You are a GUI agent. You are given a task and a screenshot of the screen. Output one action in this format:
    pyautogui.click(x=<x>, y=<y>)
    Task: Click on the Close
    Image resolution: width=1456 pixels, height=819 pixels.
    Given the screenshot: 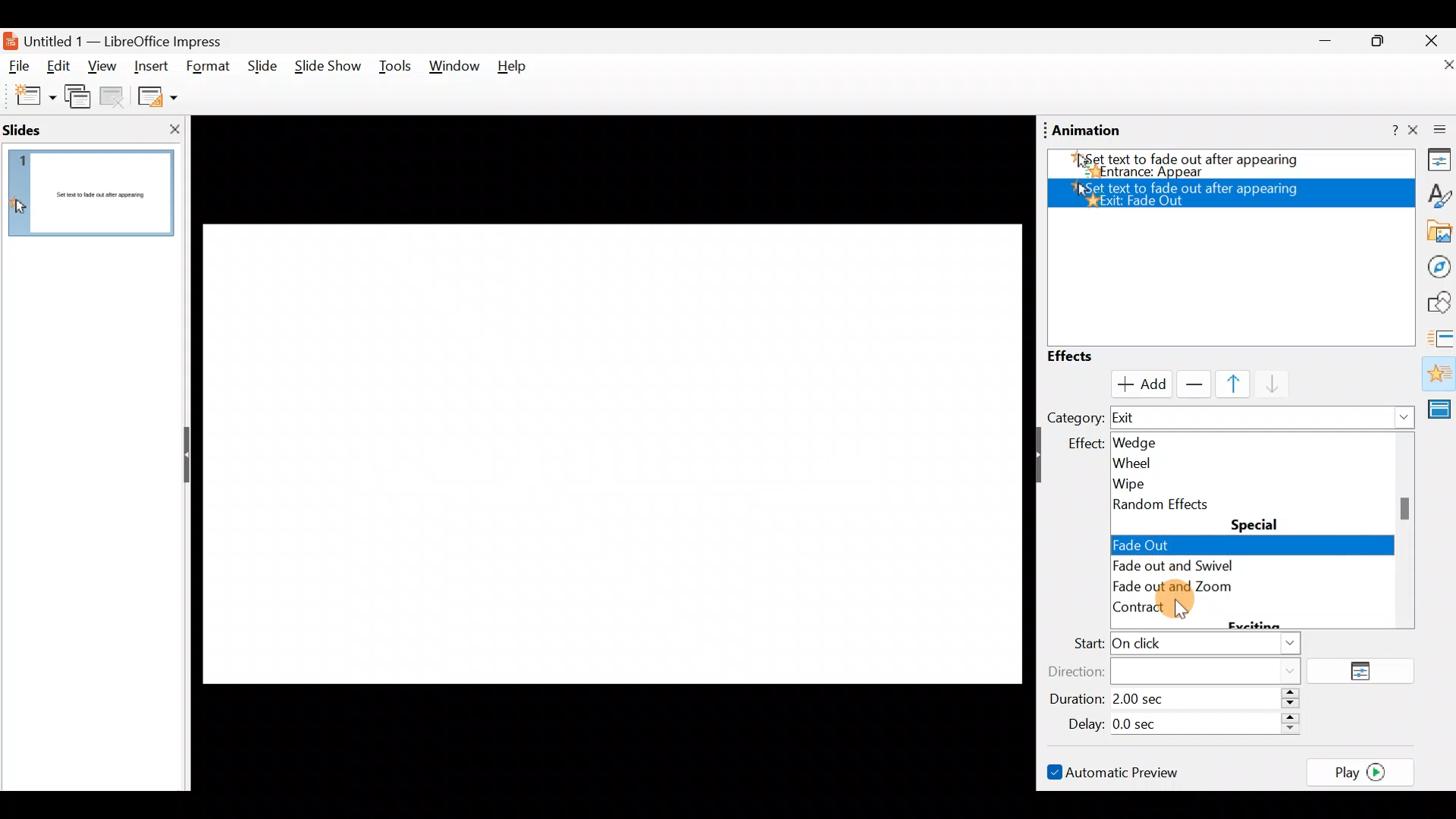 What is the action you would take?
    pyautogui.click(x=1432, y=39)
    